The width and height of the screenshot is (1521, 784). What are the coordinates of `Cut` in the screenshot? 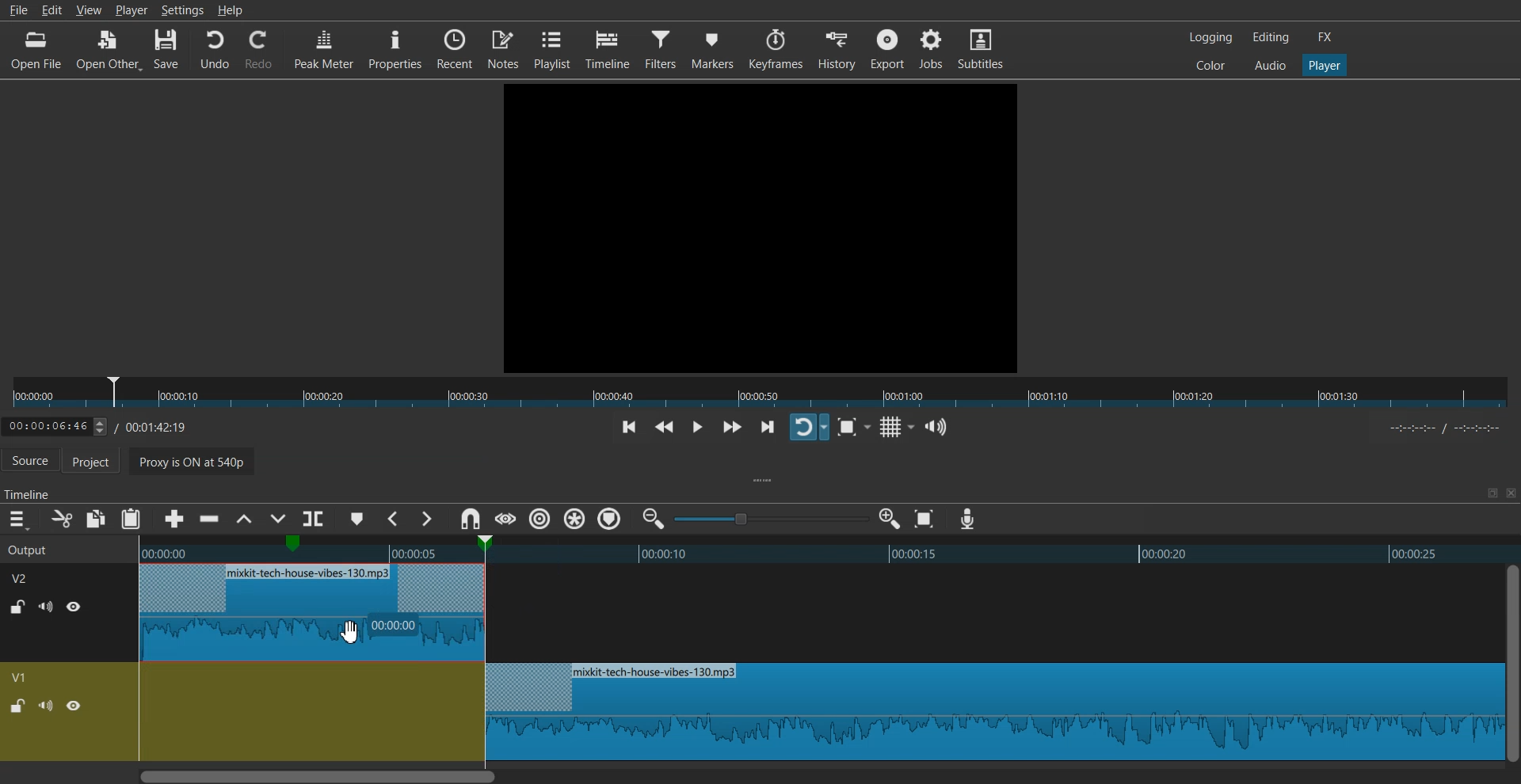 It's located at (62, 519).